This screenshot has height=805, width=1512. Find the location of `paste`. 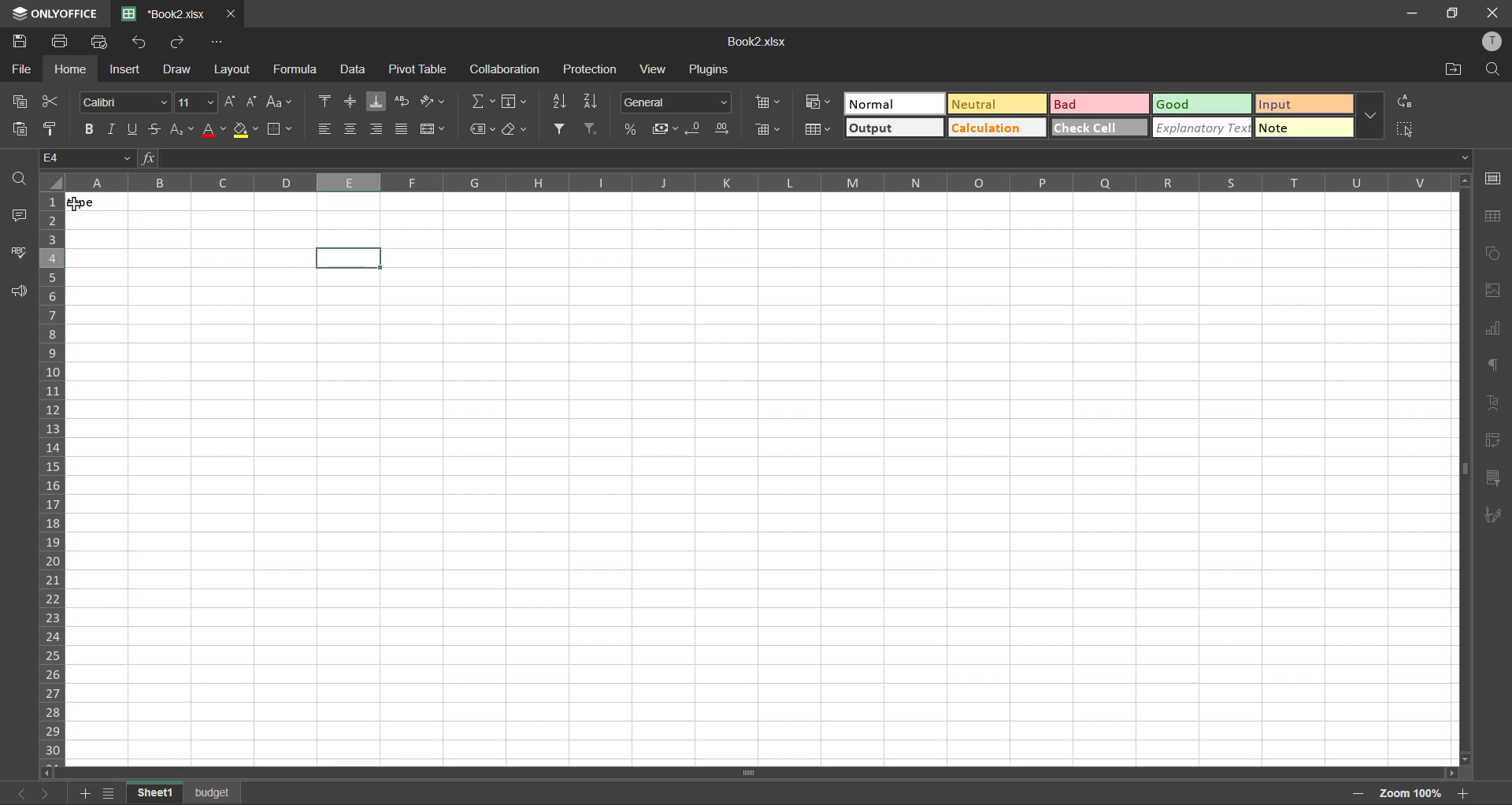

paste is located at coordinates (15, 129).